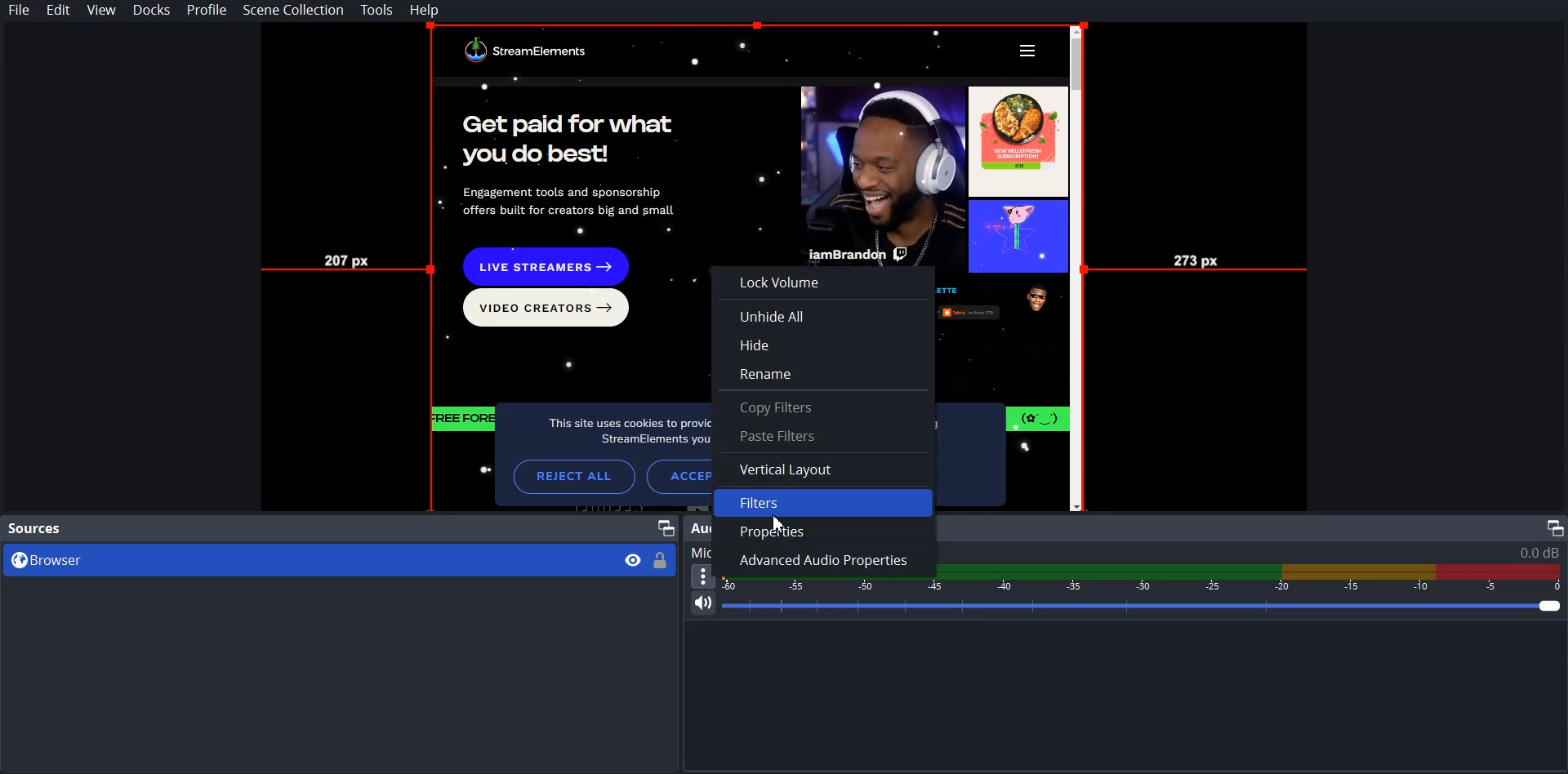 The width and height of the screenshot is (1568, 774). Describe the element at coordinates (701, 576) in the screenshot. I see `More` at that location.